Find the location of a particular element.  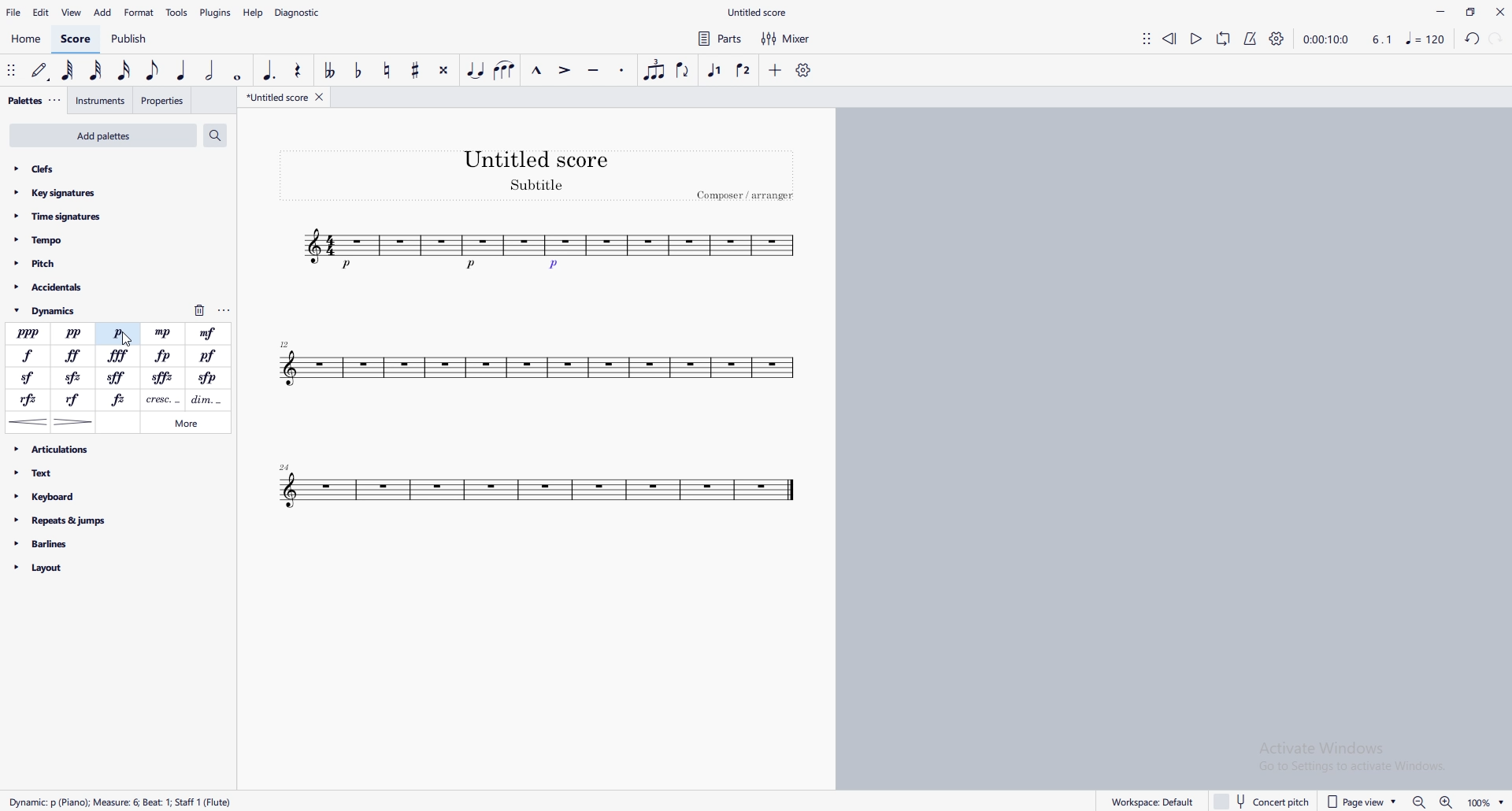

forte is located at coordinates (28, 355).